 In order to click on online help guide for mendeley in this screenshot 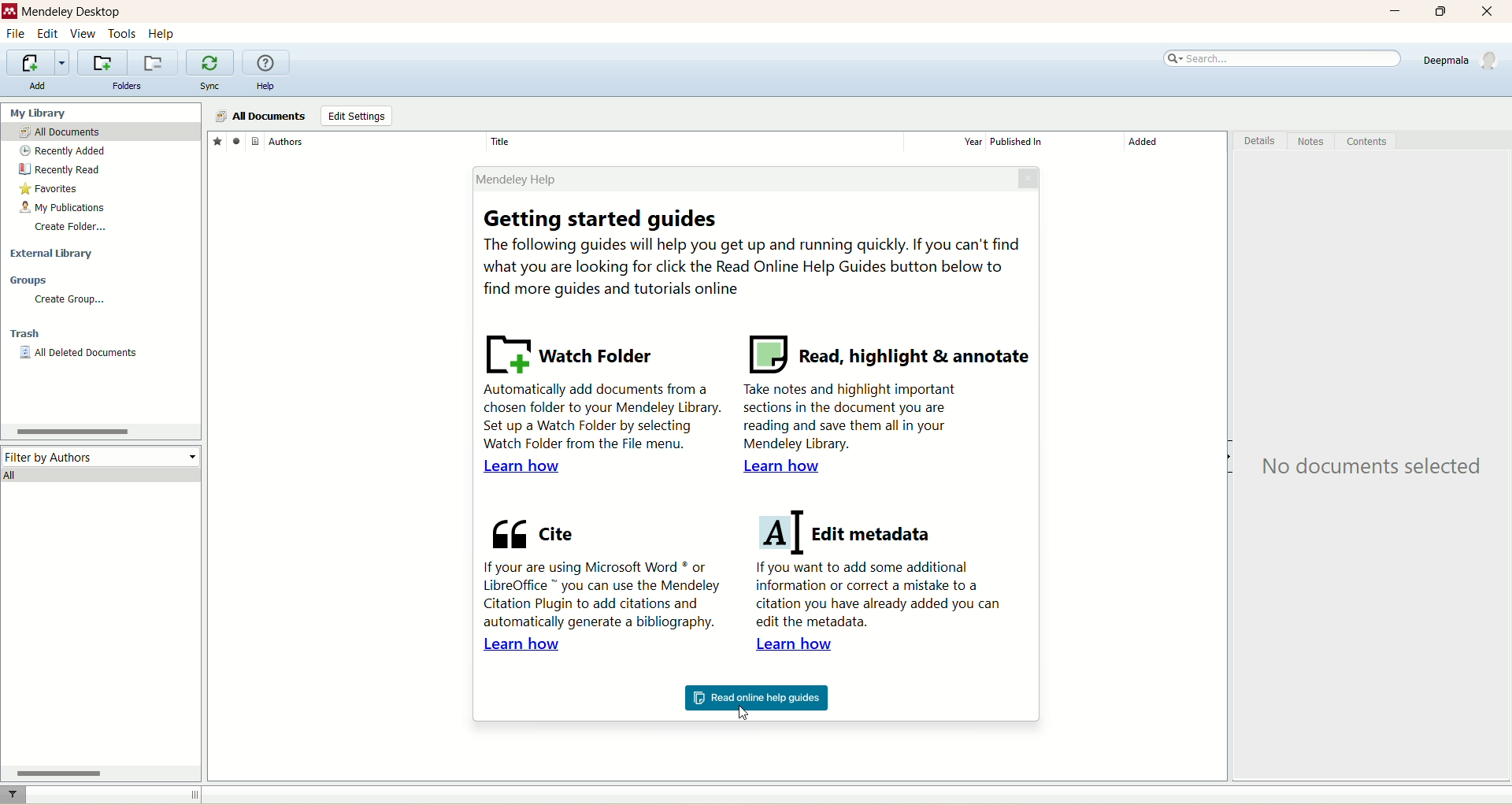, I will do `click(267, 63)`.